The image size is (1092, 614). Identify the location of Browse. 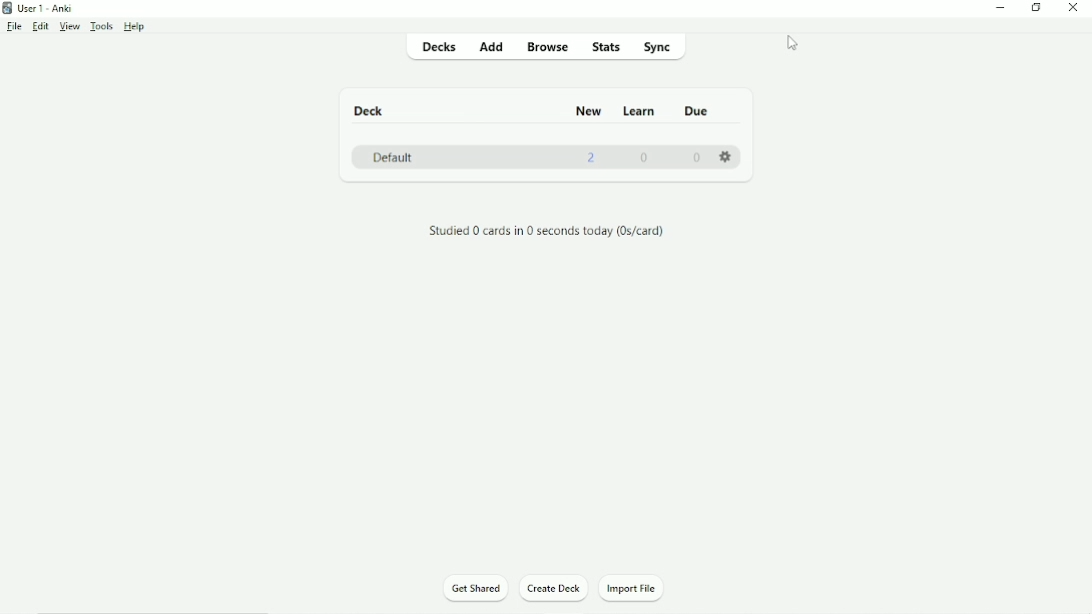
(549, 49).